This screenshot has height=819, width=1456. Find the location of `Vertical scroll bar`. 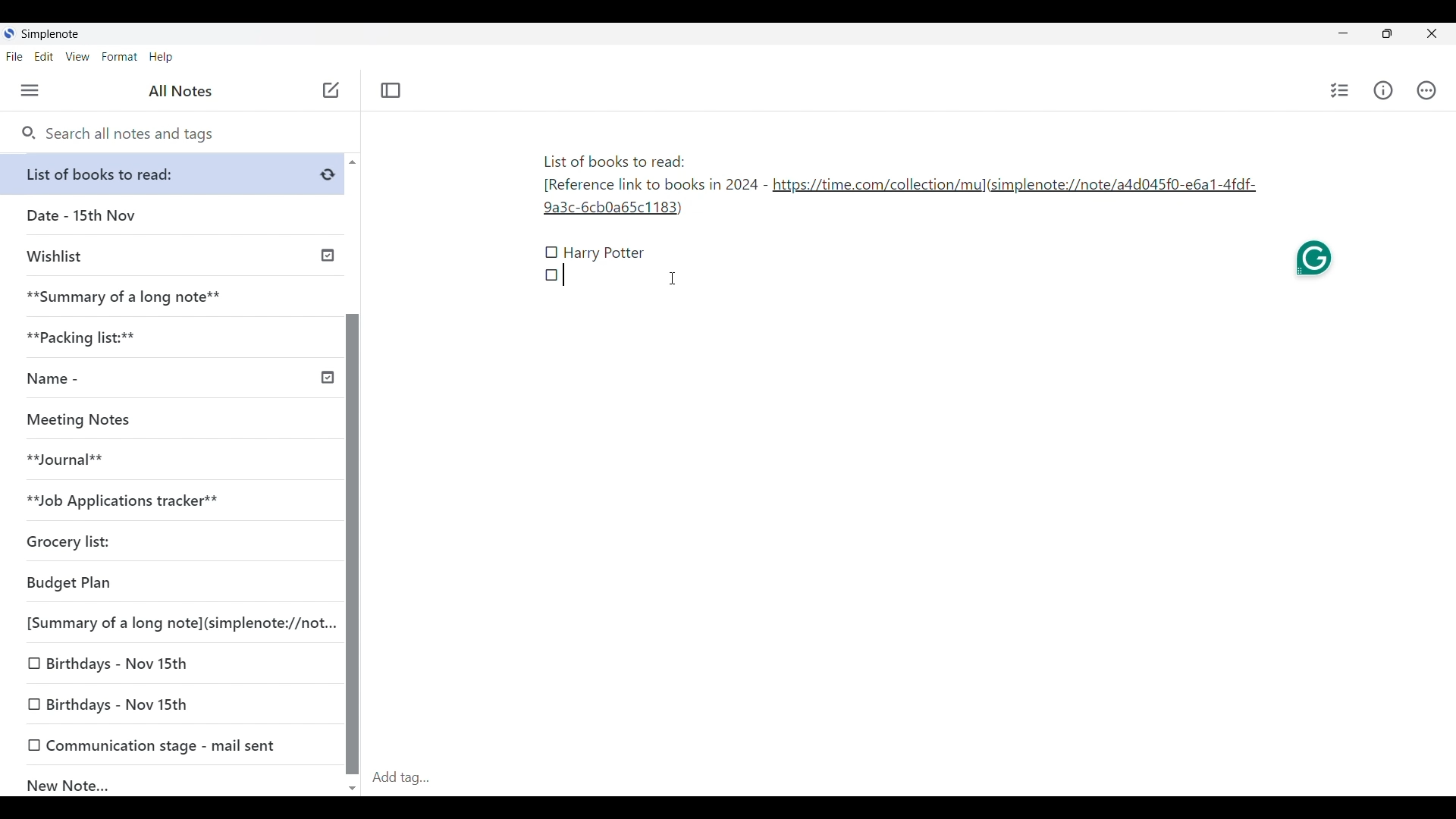

Vertical scroll bar is located at coordinates (352, 473).